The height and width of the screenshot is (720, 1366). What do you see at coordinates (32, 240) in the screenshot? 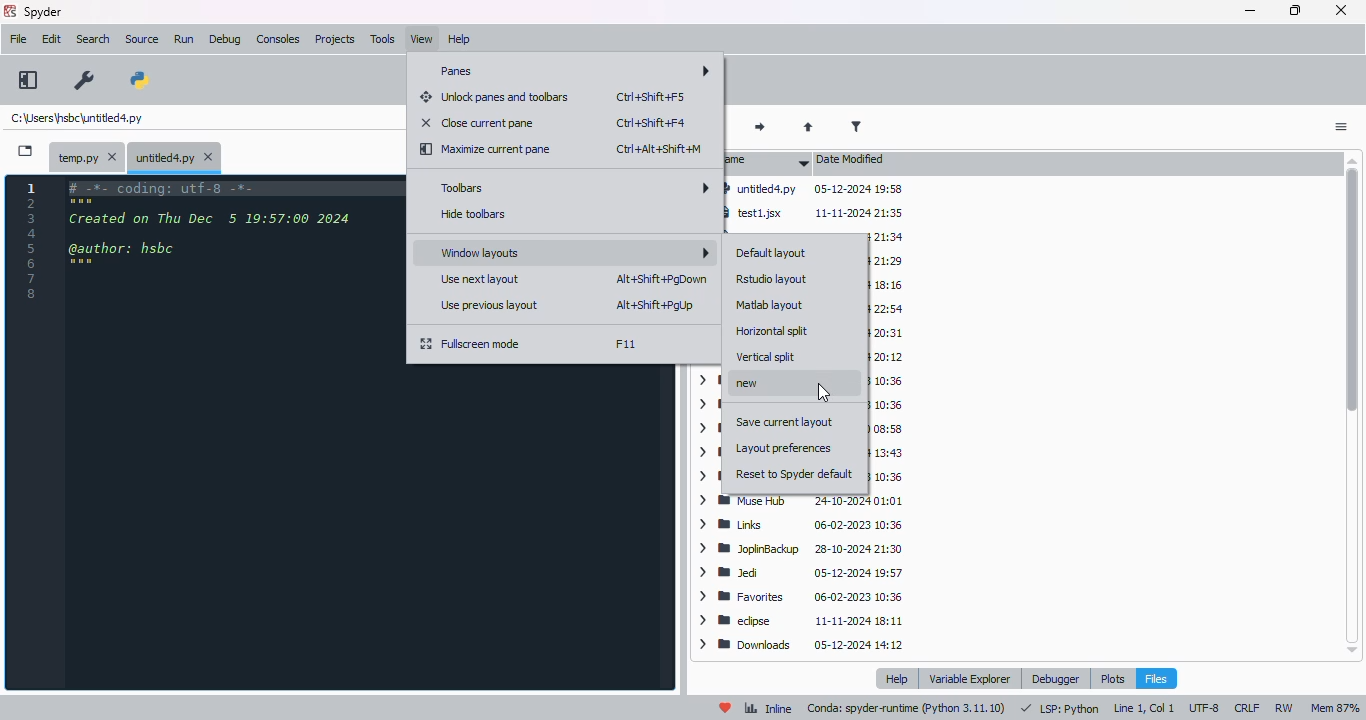
I see `line numbers` at bounding box center [32, 240].